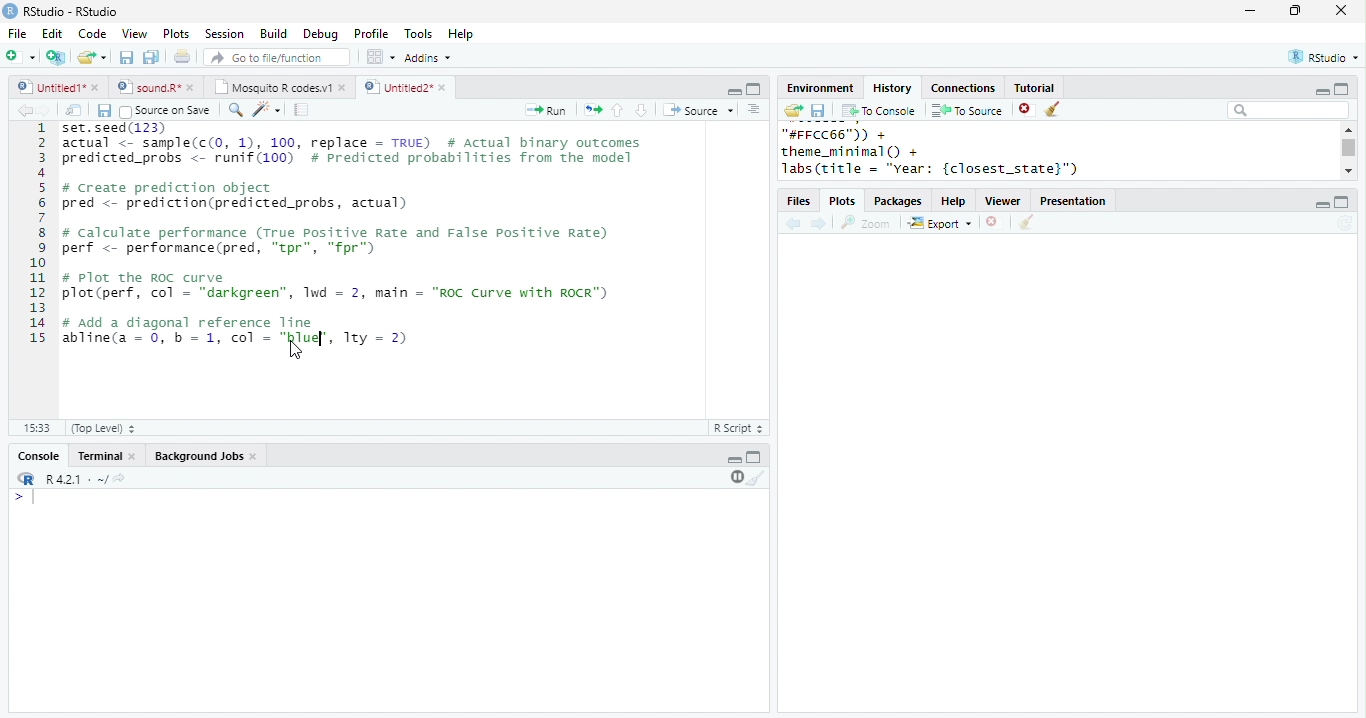 The image size is (1366, 718). Describe the element at coordinates (419, 34) in the screenshot. I see `Tools` at that location.